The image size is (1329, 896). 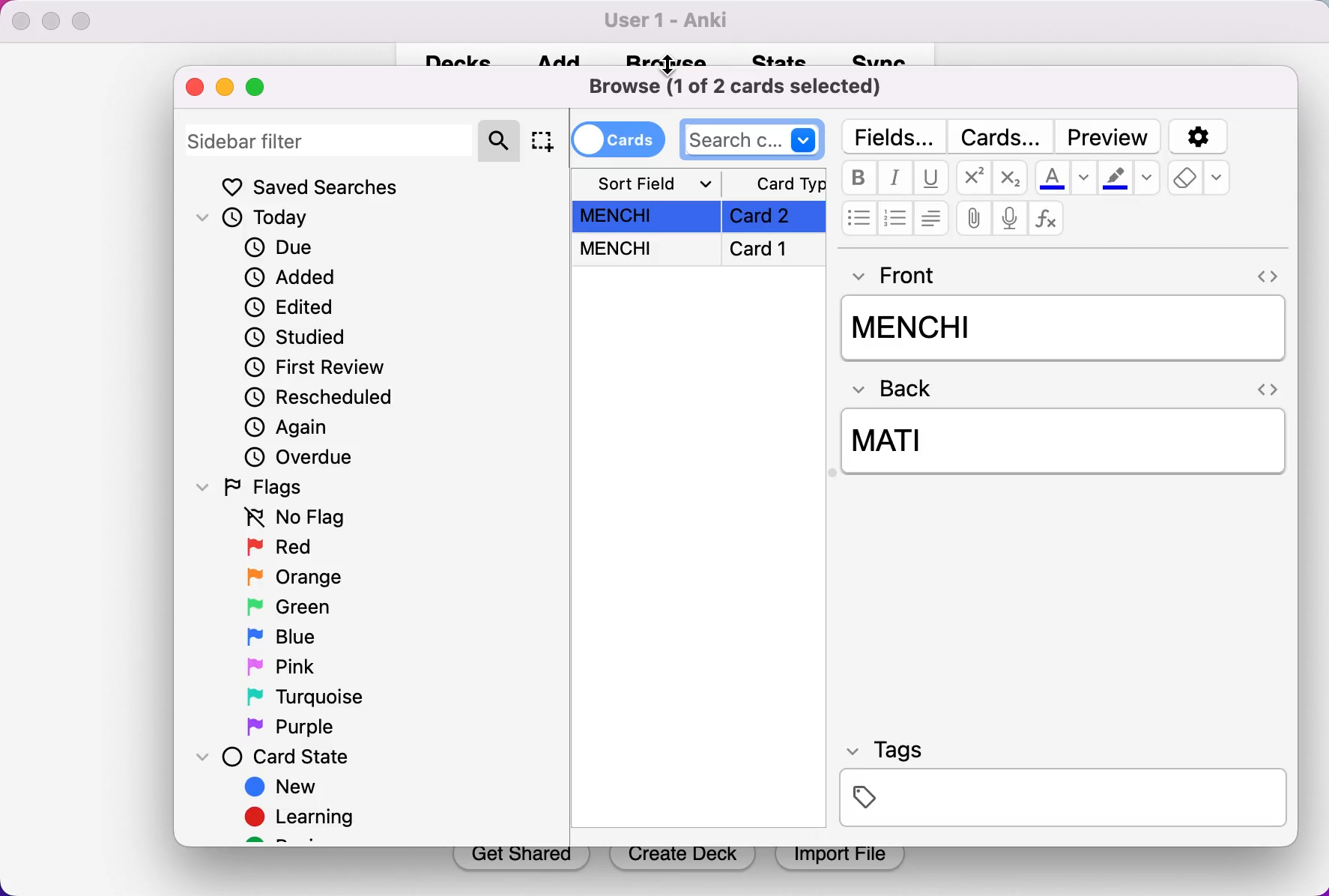 I want to click on attach pictures/audio/video, so click(x=972, y=218).